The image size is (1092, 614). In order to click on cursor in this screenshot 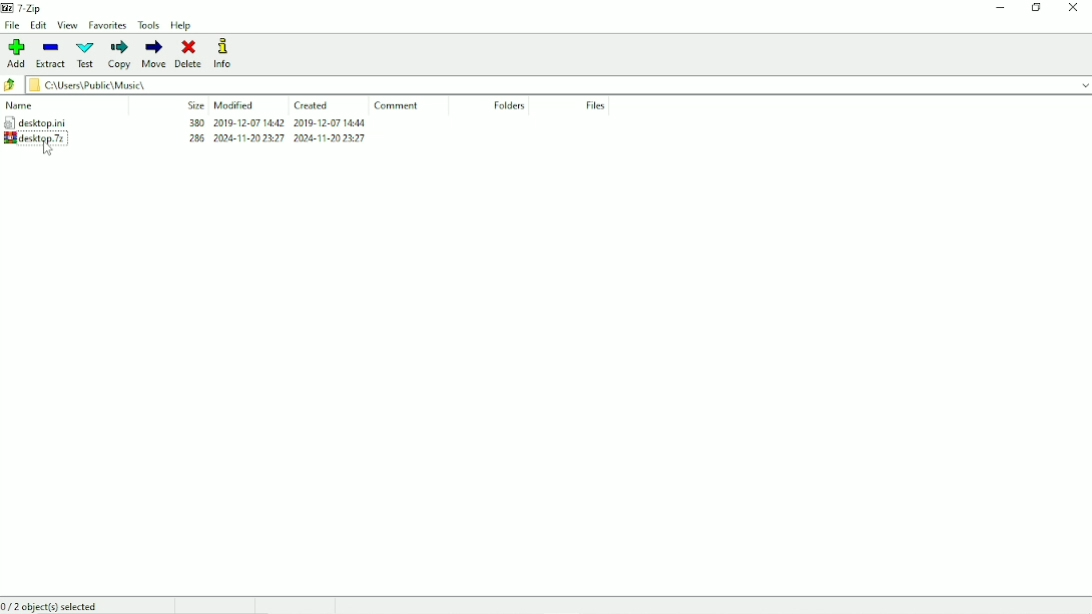, I will do `click(47, 148)`.